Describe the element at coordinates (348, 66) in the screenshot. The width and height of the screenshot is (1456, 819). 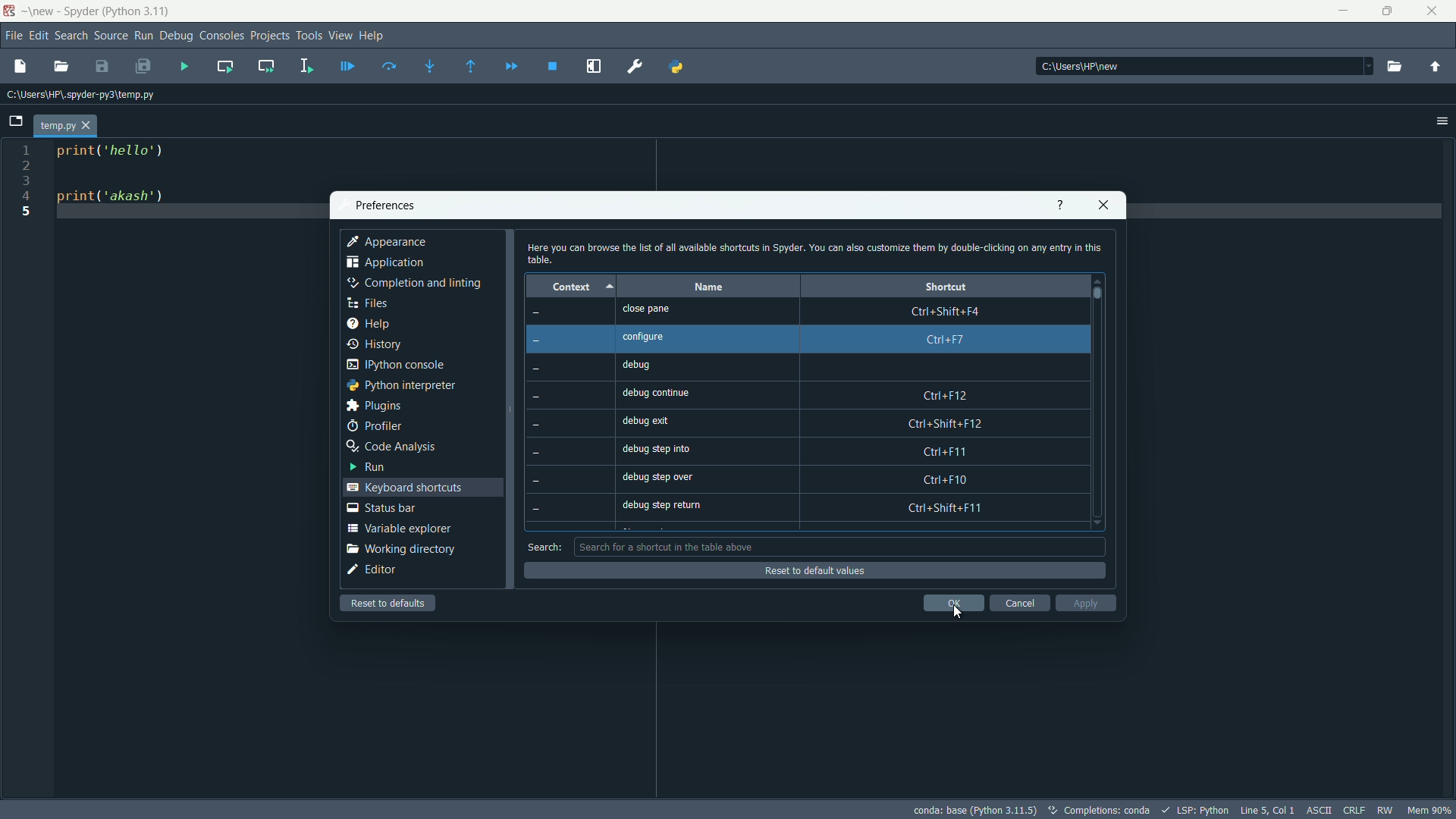
I see `debug file` at that location.